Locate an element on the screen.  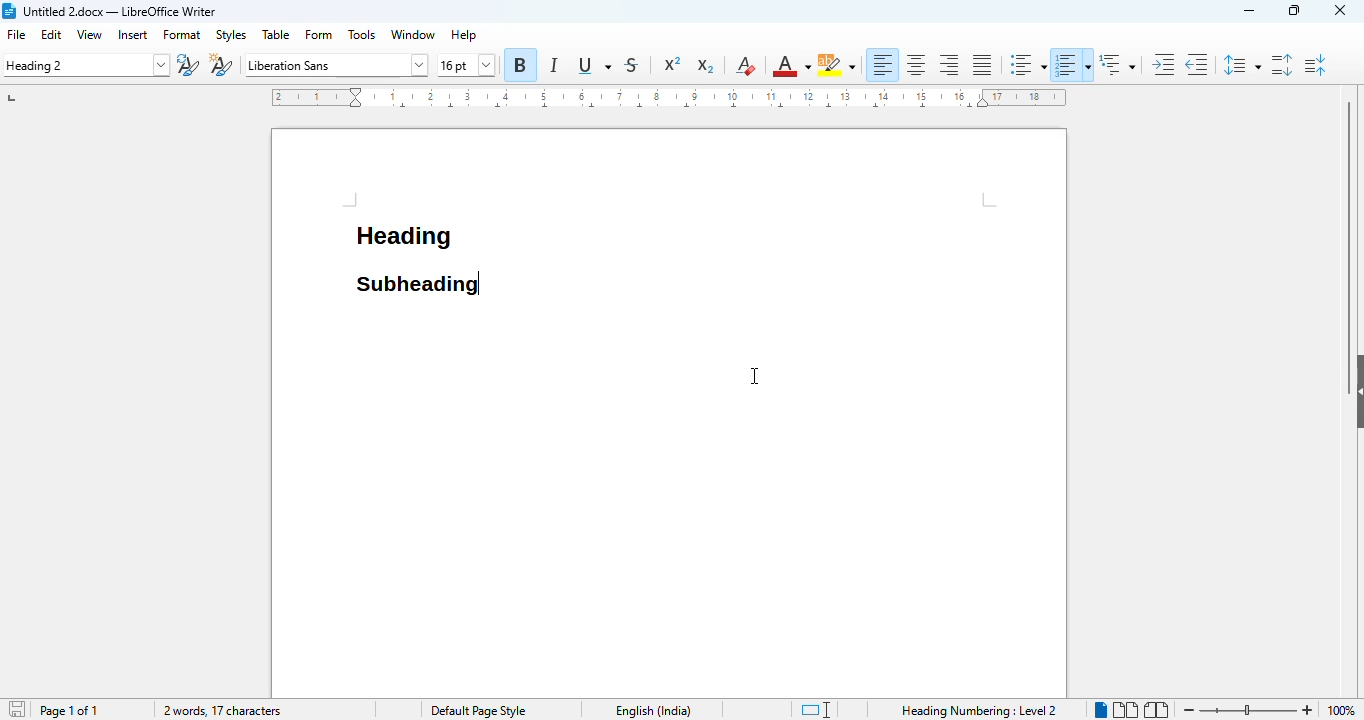
window is located at coordinates (413, 35).